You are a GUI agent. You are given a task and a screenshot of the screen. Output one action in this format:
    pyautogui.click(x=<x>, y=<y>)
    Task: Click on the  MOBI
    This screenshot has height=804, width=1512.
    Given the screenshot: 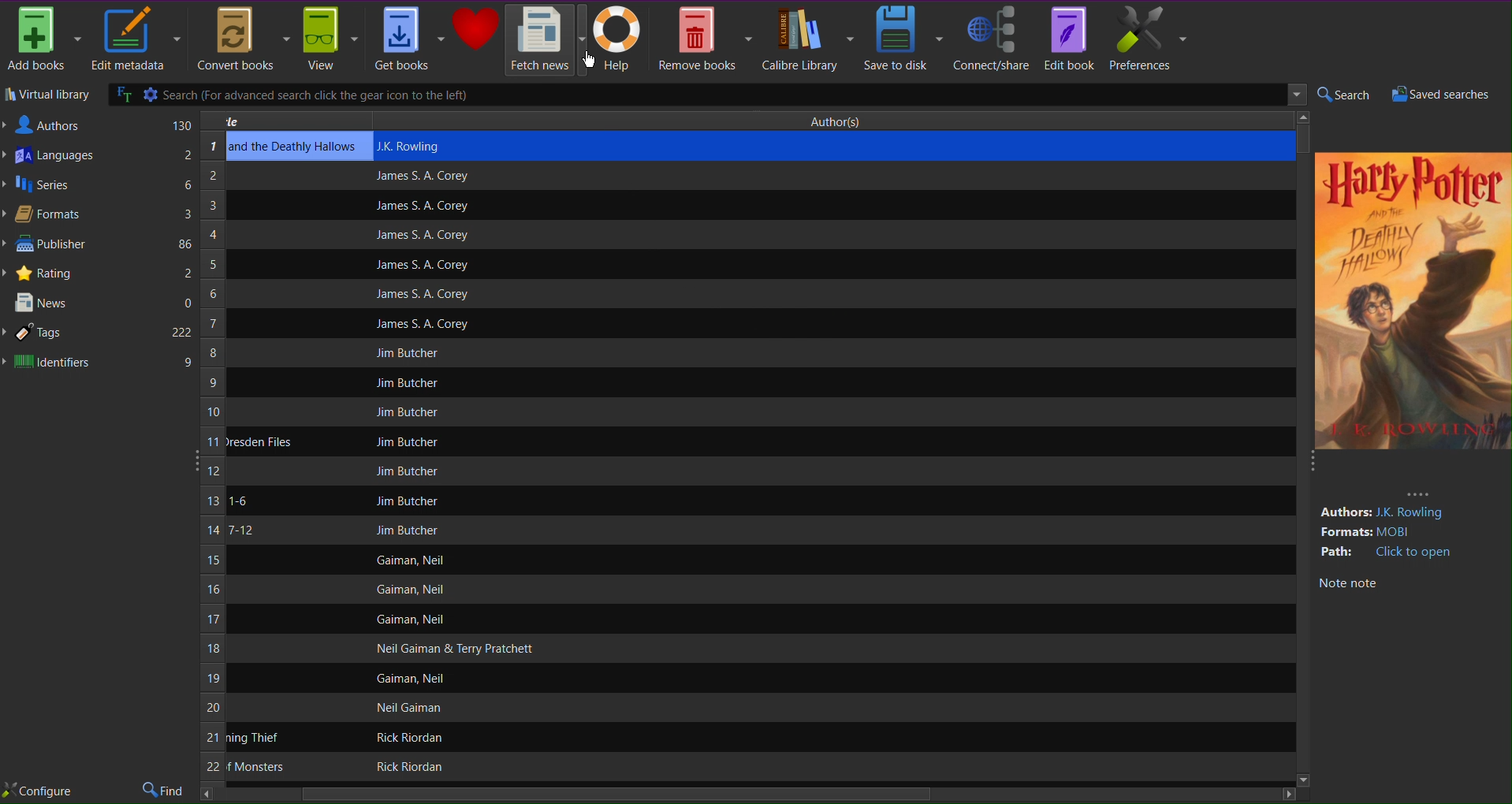 What is the action you would take?
    pyautogui.click(x=1401, y=532)
    